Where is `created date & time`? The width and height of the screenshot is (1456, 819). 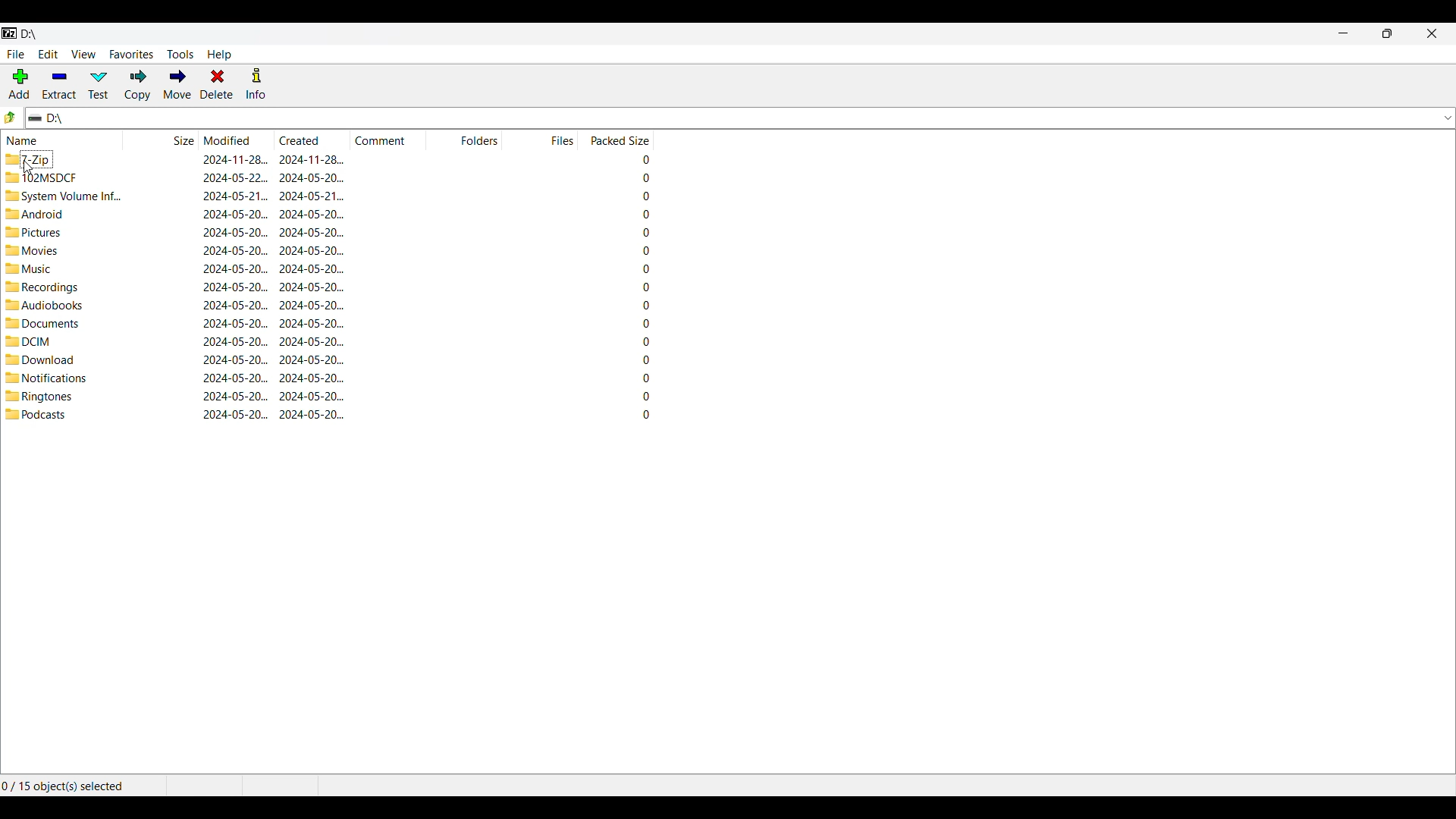
created date & time is located at coordinates (312, 268).